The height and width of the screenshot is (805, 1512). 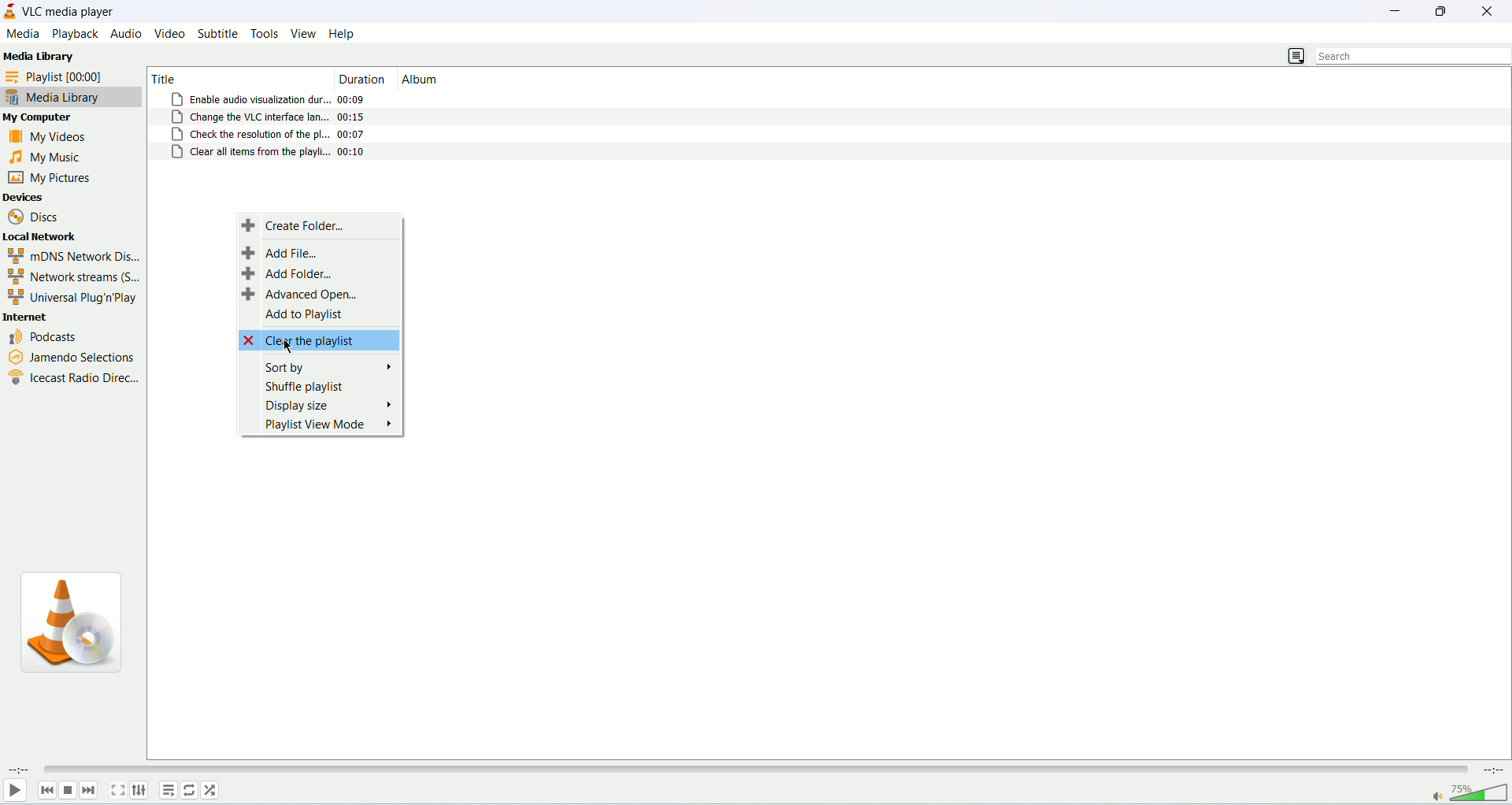 I want to click on Disc, so click(x=35, y=216).